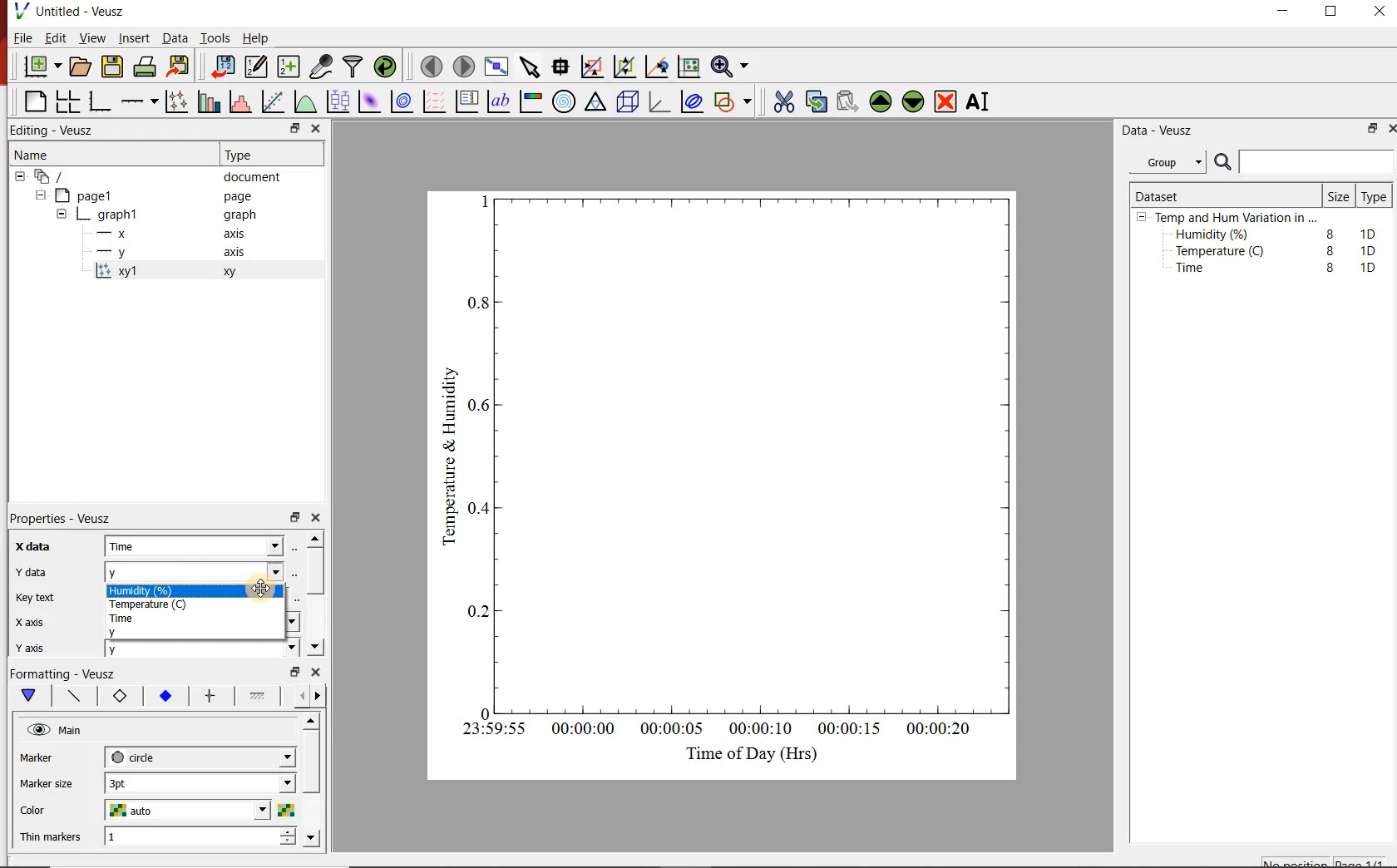 The height and width of the screenshot is (868, 1397). I want to click on click to zoom out of graph axes, so click(625, 68).